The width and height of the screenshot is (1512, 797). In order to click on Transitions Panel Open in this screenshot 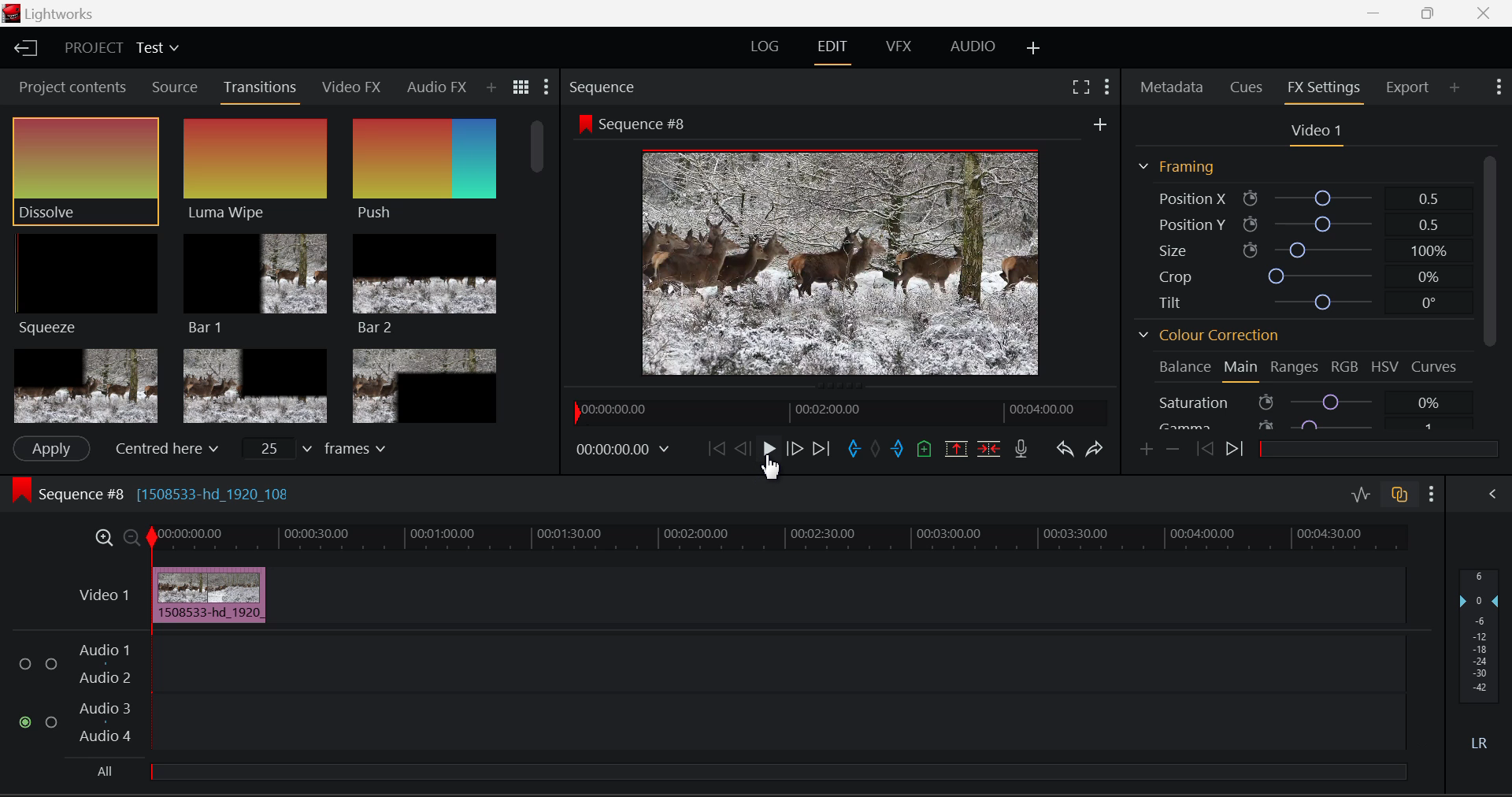, I will do `click(261, 91)`.